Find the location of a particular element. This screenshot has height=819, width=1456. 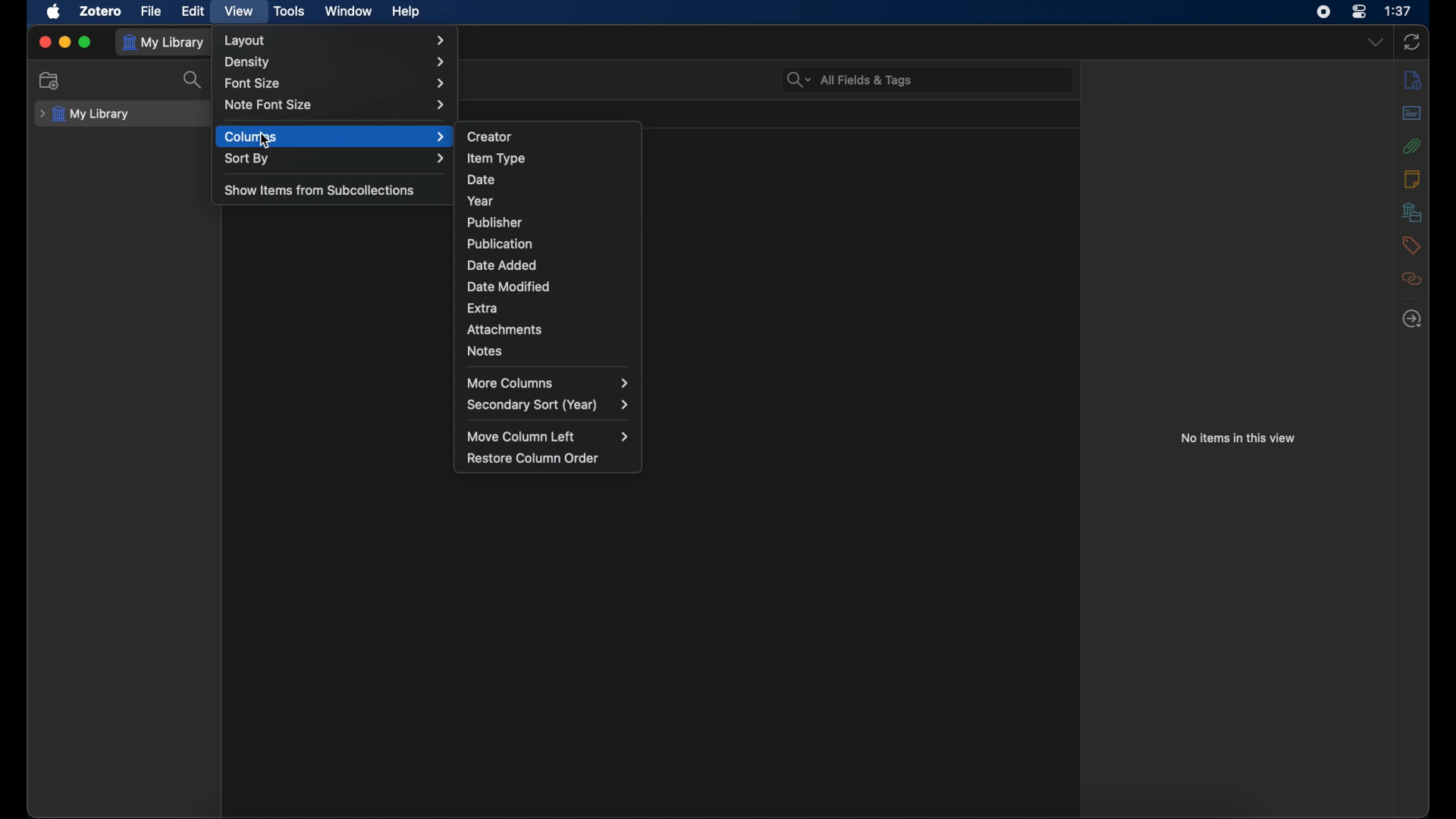

show items from subcollections is located at coordinates (320, 190).